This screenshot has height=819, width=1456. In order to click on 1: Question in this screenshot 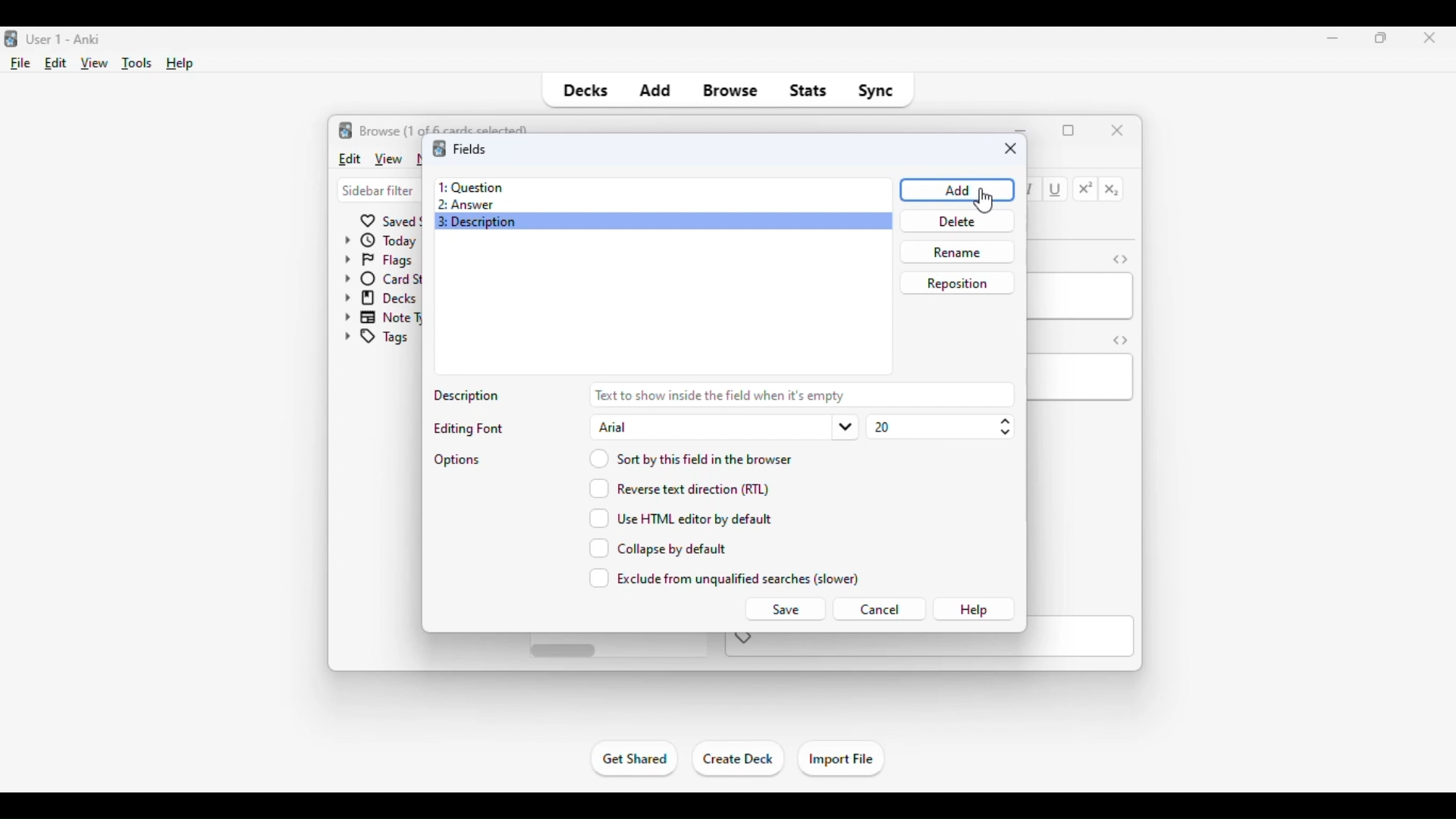, I will do `click(470, 187)`.